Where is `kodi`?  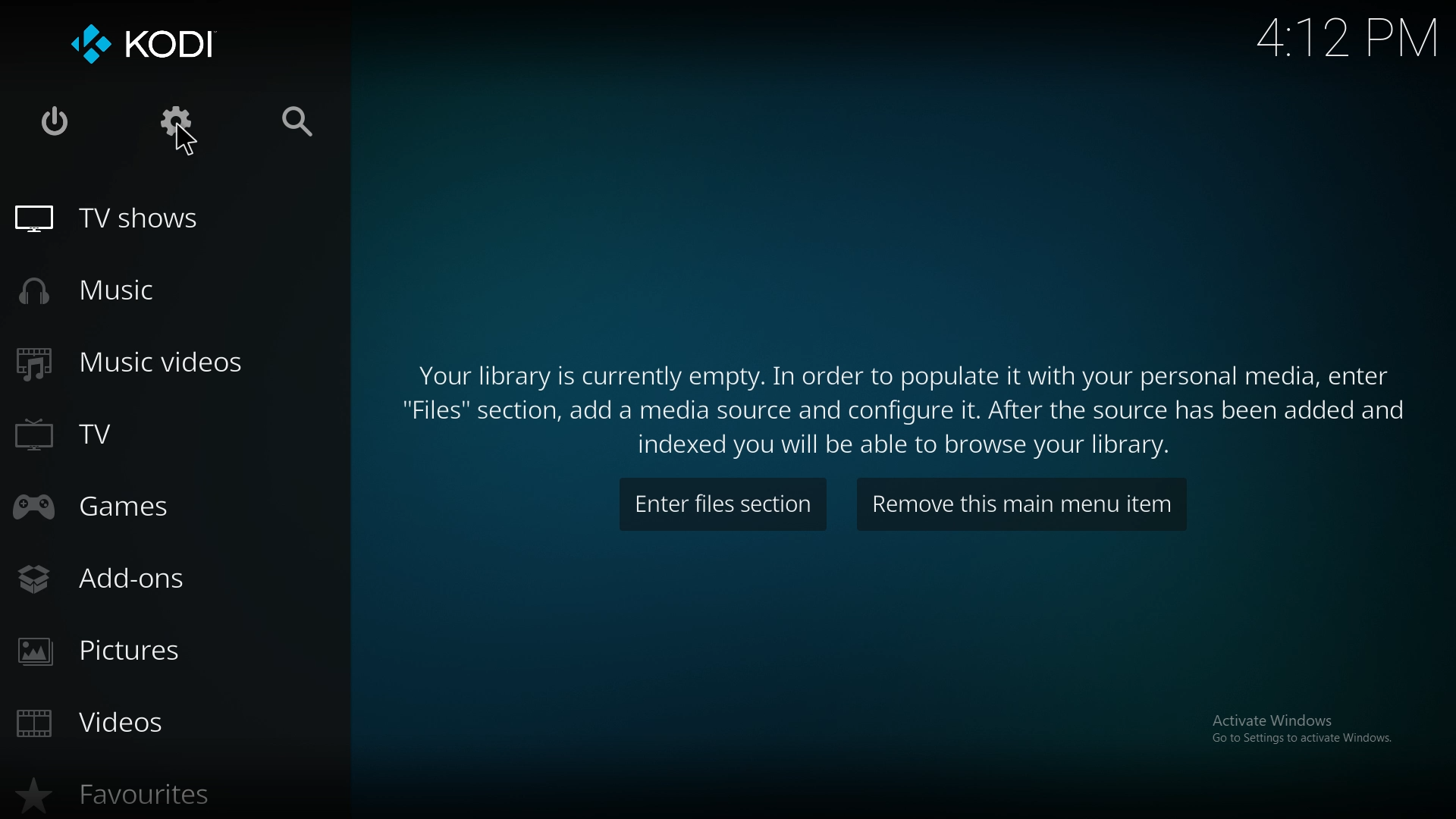 kodi is located at coordinates (143, 44).